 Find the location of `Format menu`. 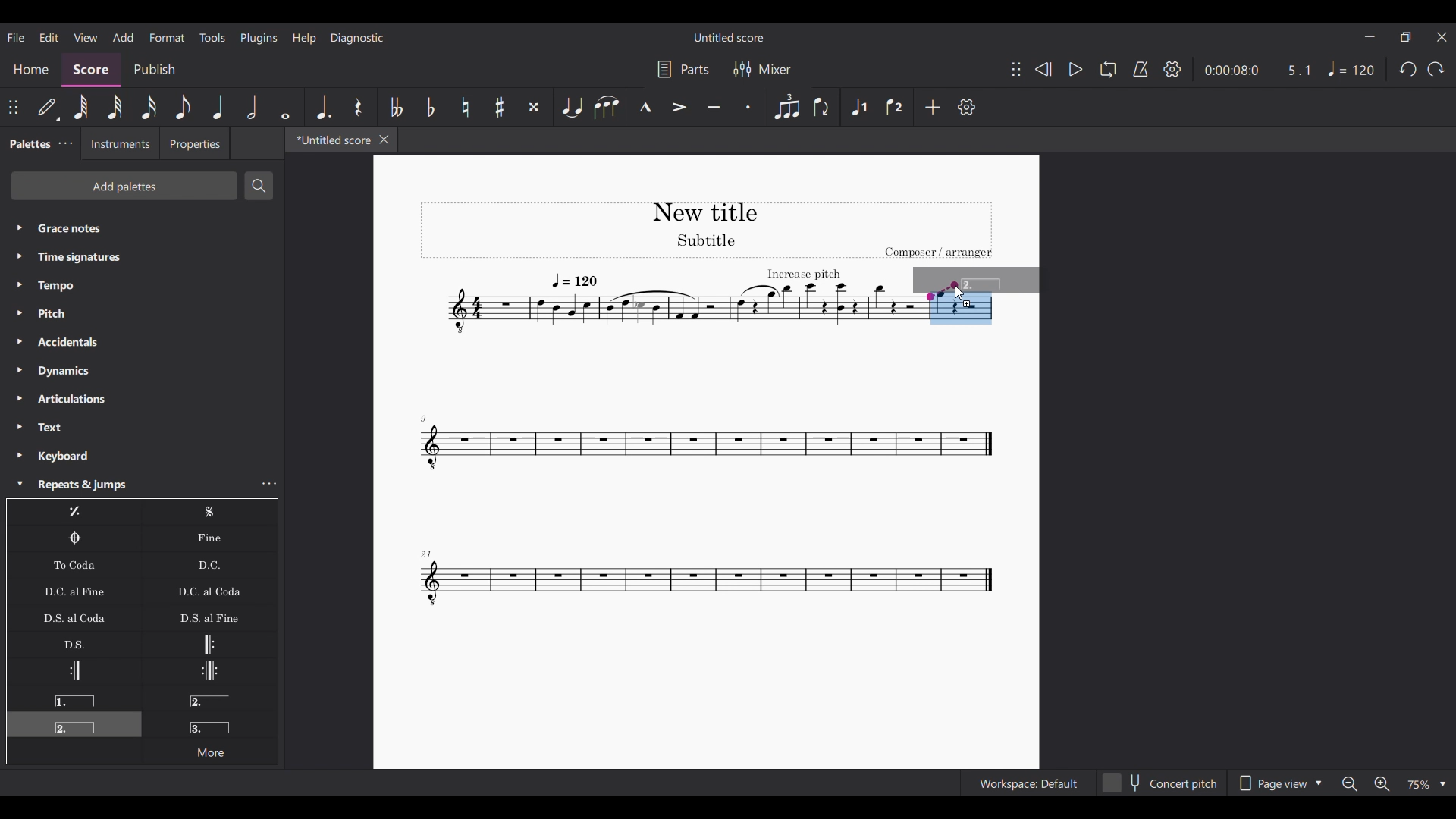

Format menu is located at coordinates (167, 38).